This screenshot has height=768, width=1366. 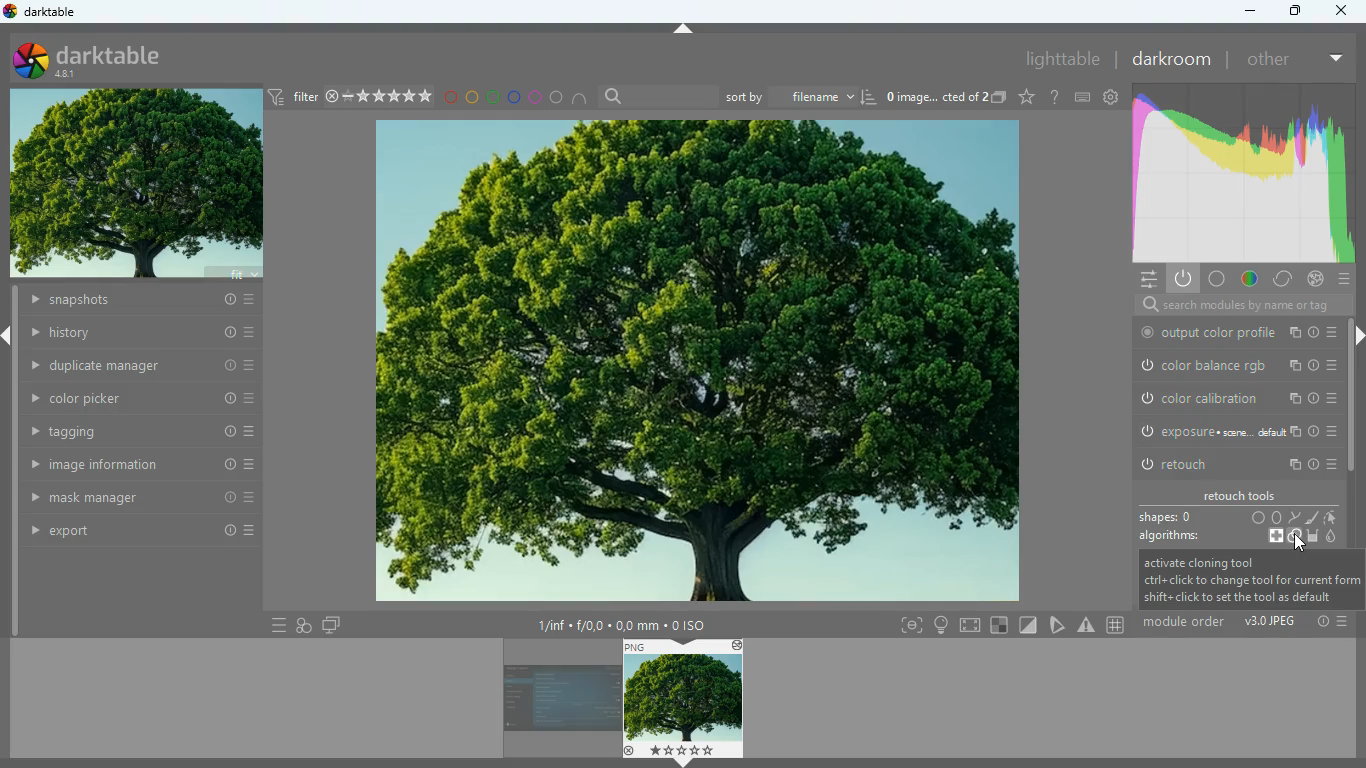 I want to click on shapes, so click(x=1240, y=517).